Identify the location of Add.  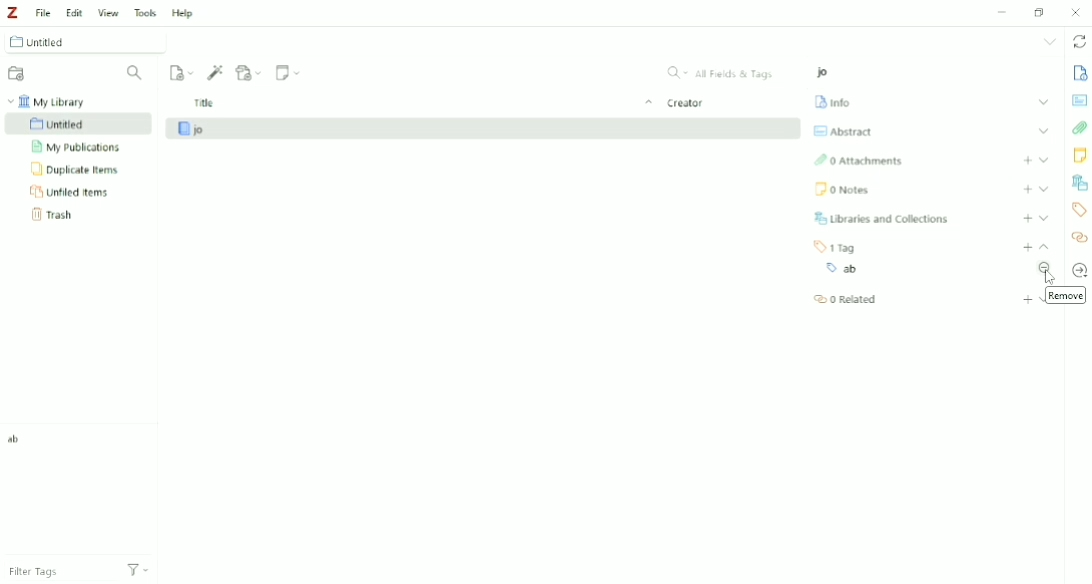
(1028, 247).